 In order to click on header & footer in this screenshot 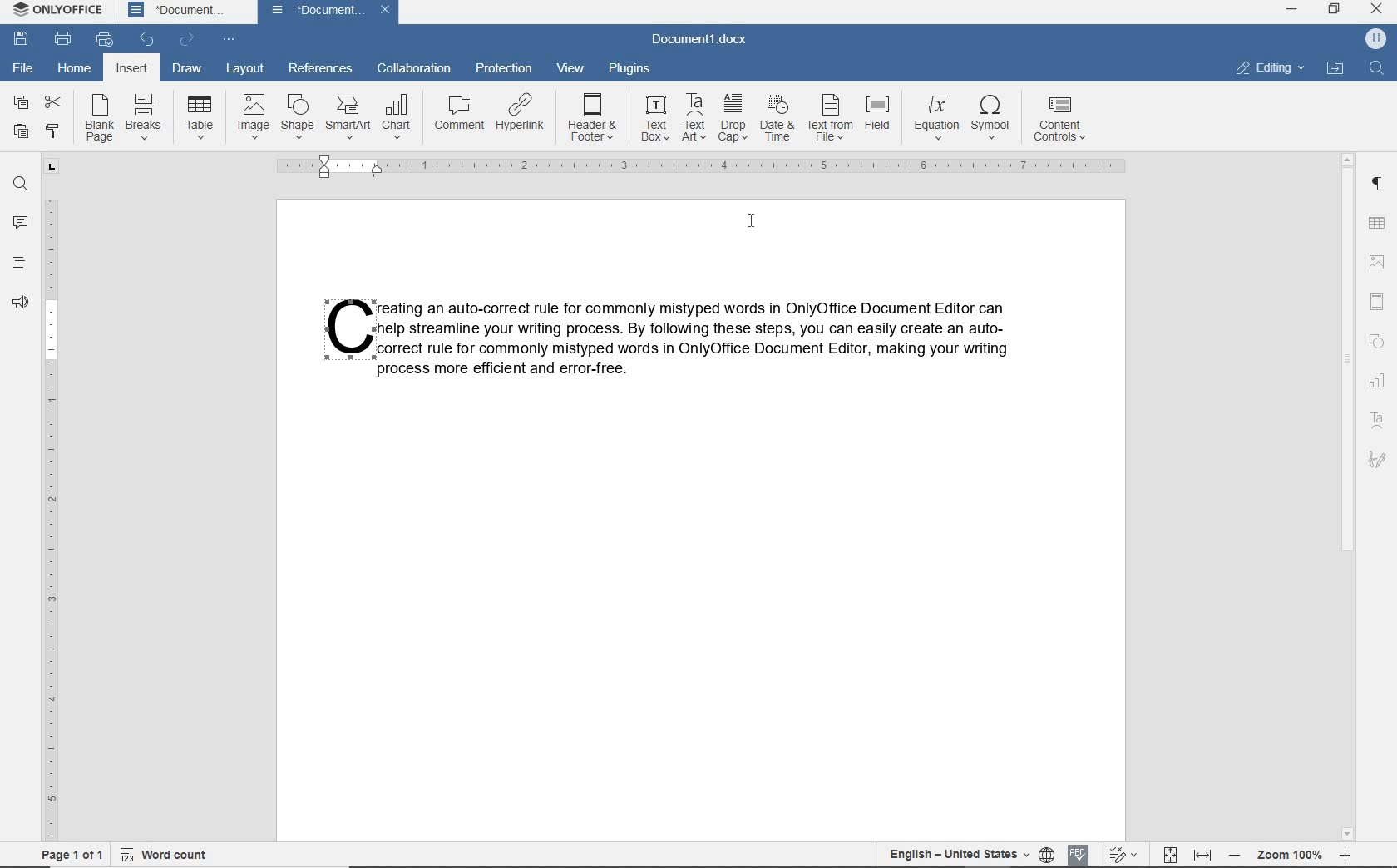, I will do `click(1380, 298)`.